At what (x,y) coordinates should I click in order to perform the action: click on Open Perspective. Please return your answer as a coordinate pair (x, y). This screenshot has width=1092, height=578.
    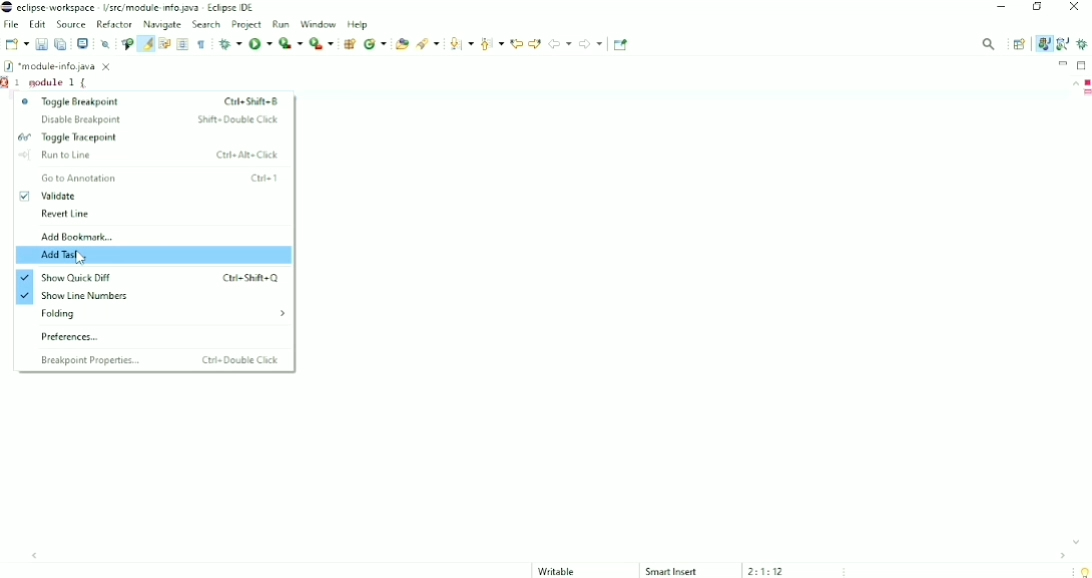
    Looking at the image, I should click on (1019, 44).